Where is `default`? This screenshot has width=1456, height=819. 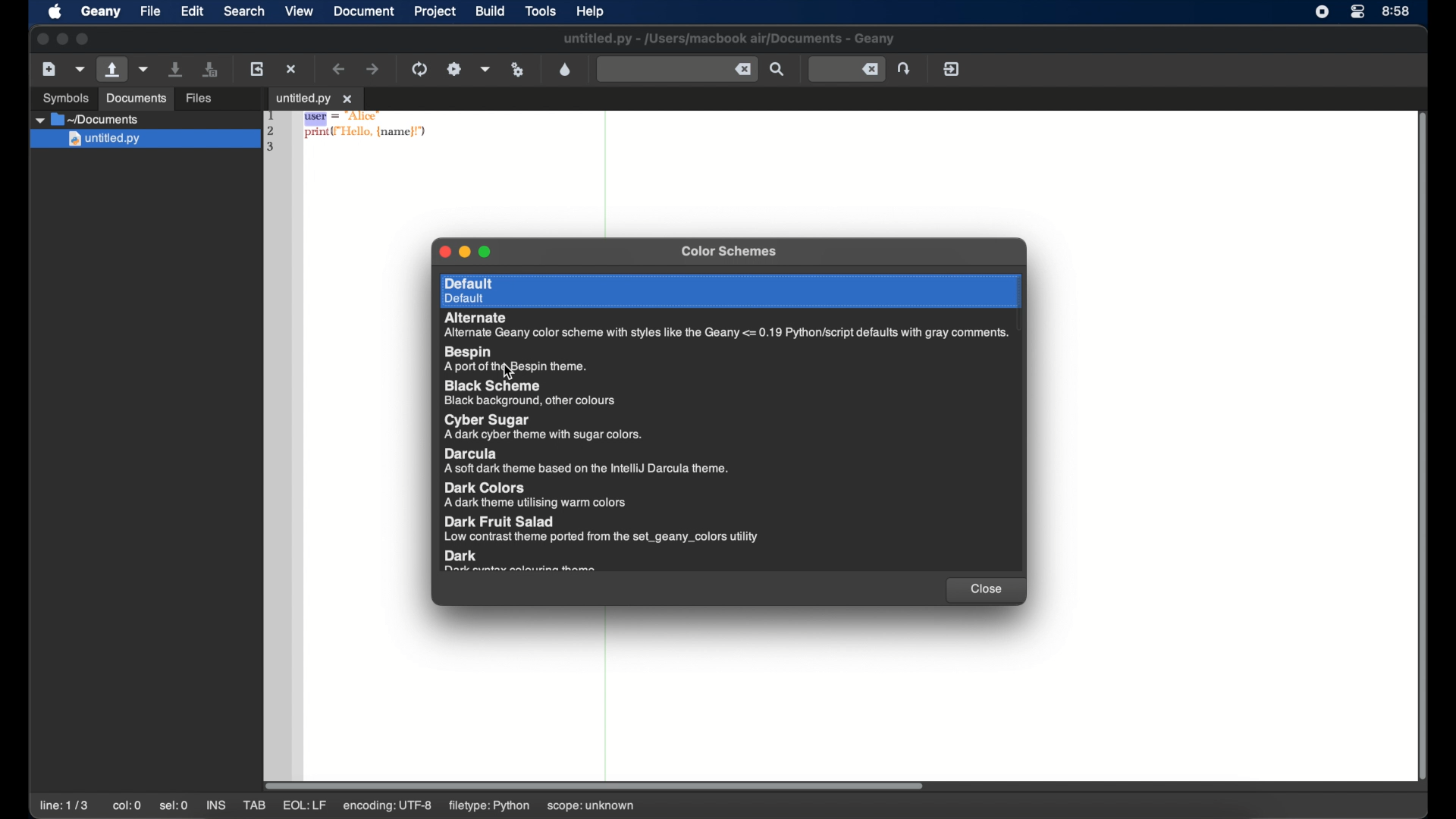 default is located at coordinates (730, 290).